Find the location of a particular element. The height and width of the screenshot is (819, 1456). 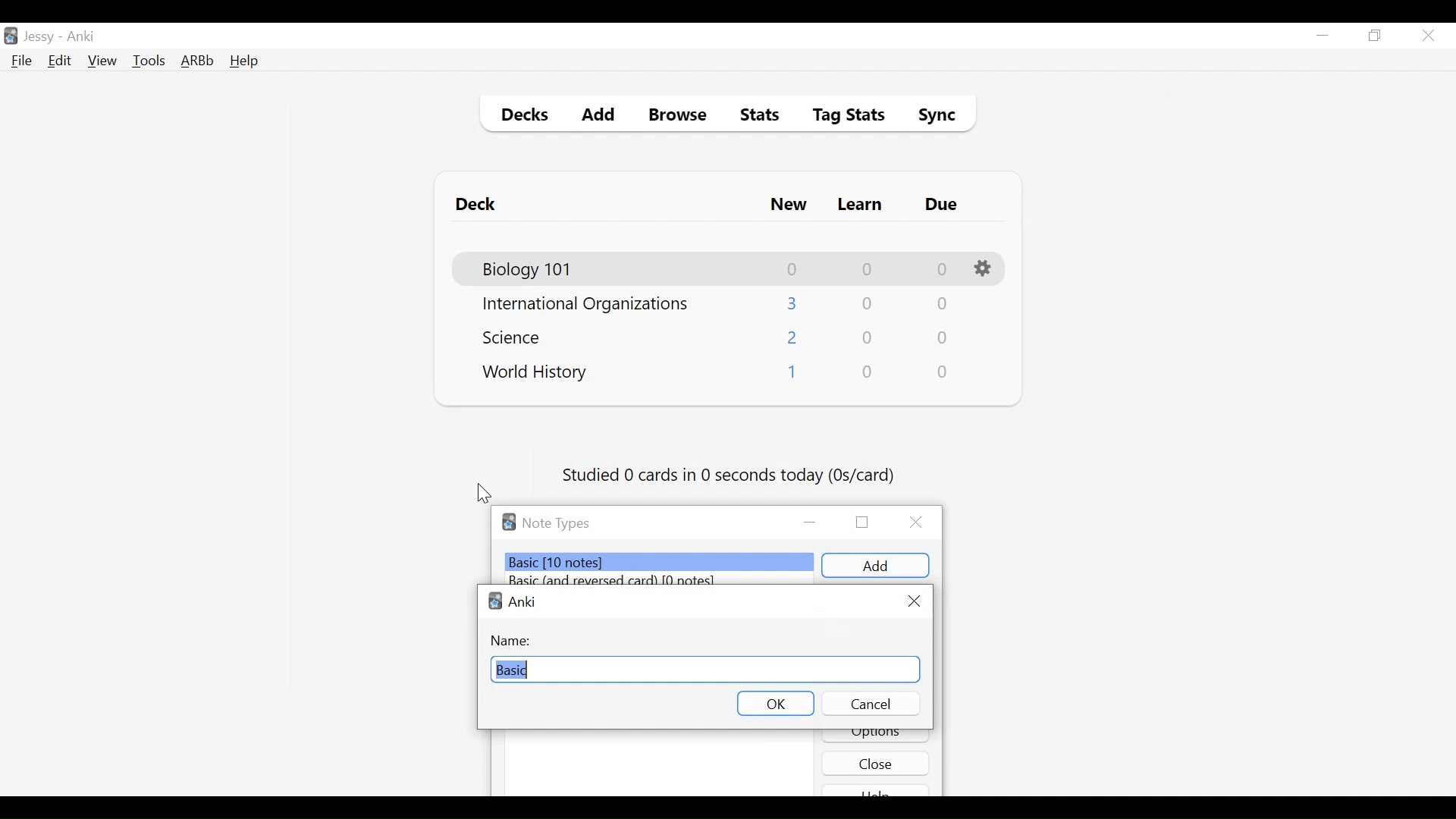

Tools is located at coordinates (149, 60).